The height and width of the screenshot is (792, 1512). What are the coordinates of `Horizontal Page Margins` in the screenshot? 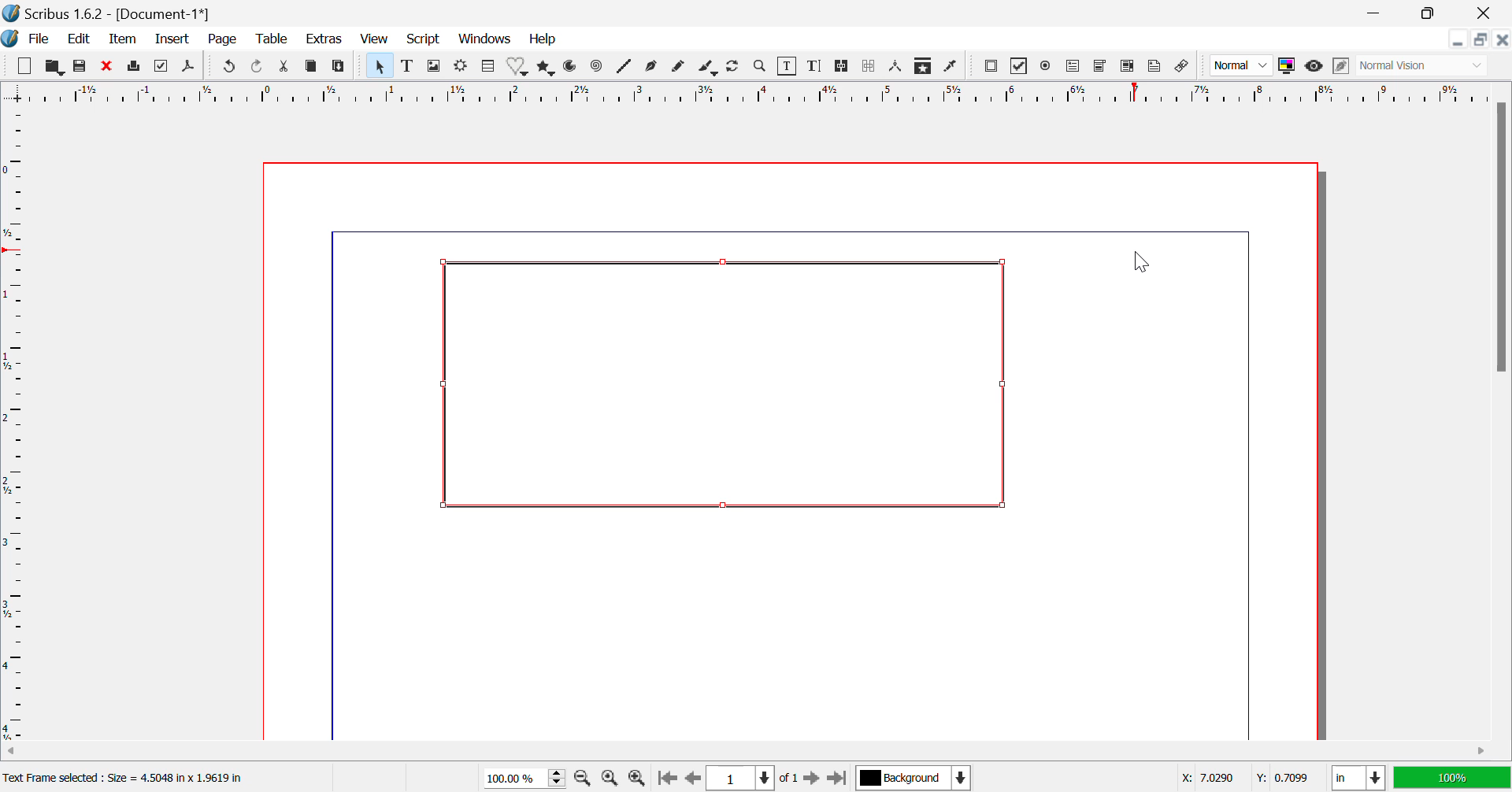 It's located at (19, 425).